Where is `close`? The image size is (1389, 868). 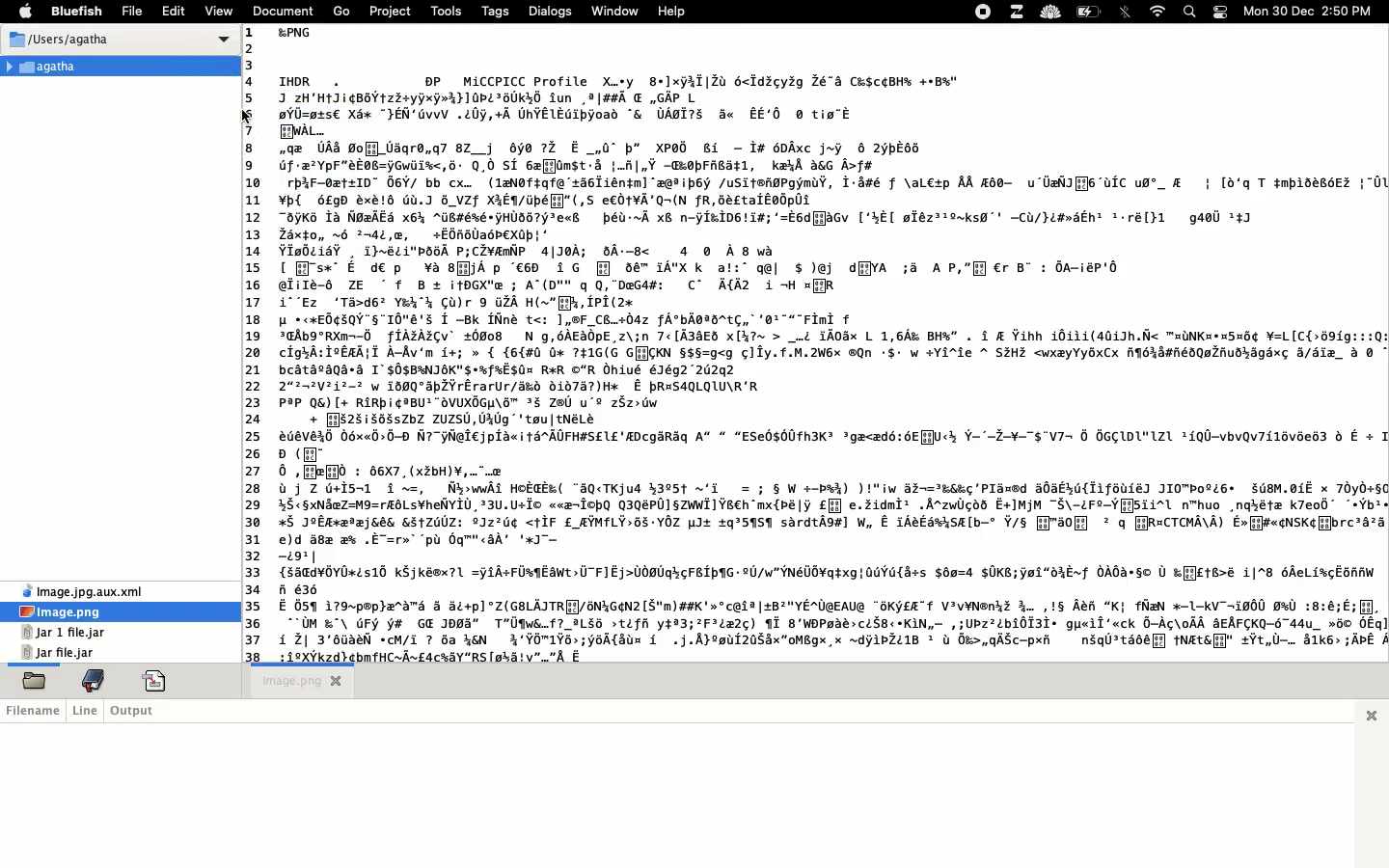 close is located at coordinates (1375, 714).